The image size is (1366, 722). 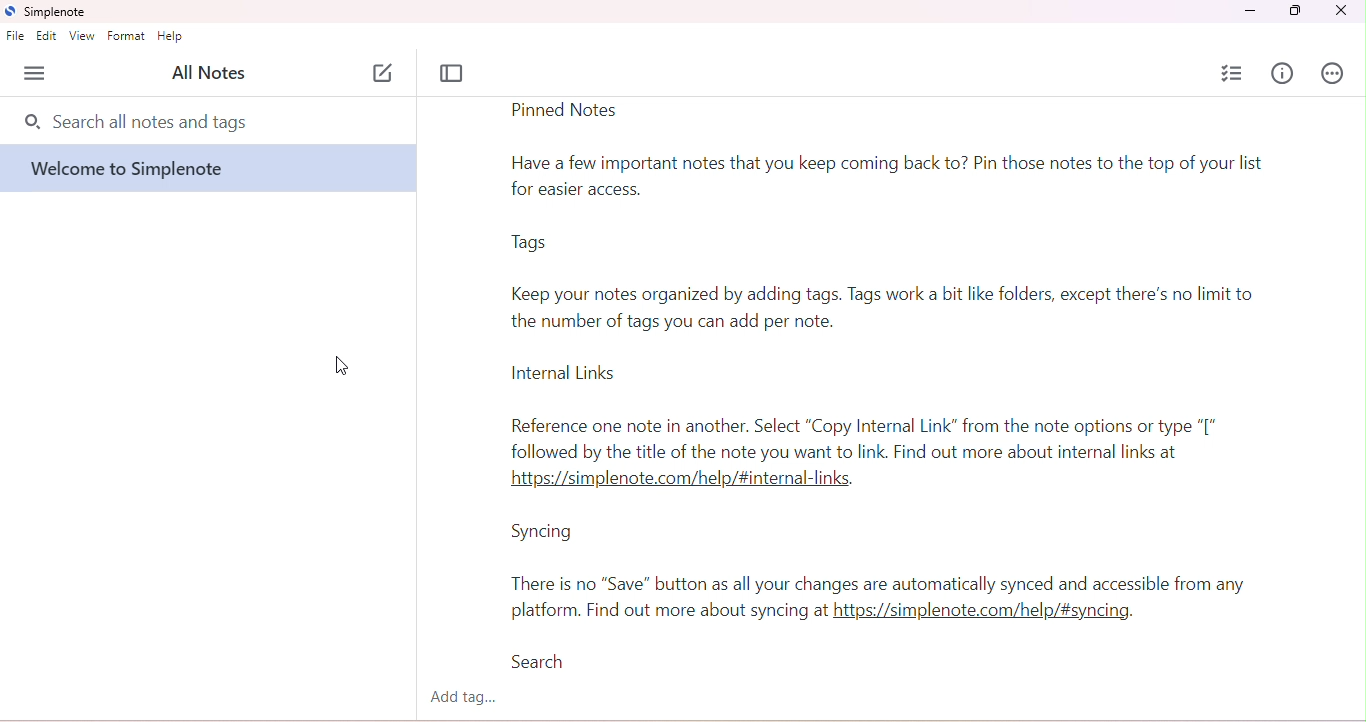 I want to click on search all nots and tags, so click(x=149, y=122).